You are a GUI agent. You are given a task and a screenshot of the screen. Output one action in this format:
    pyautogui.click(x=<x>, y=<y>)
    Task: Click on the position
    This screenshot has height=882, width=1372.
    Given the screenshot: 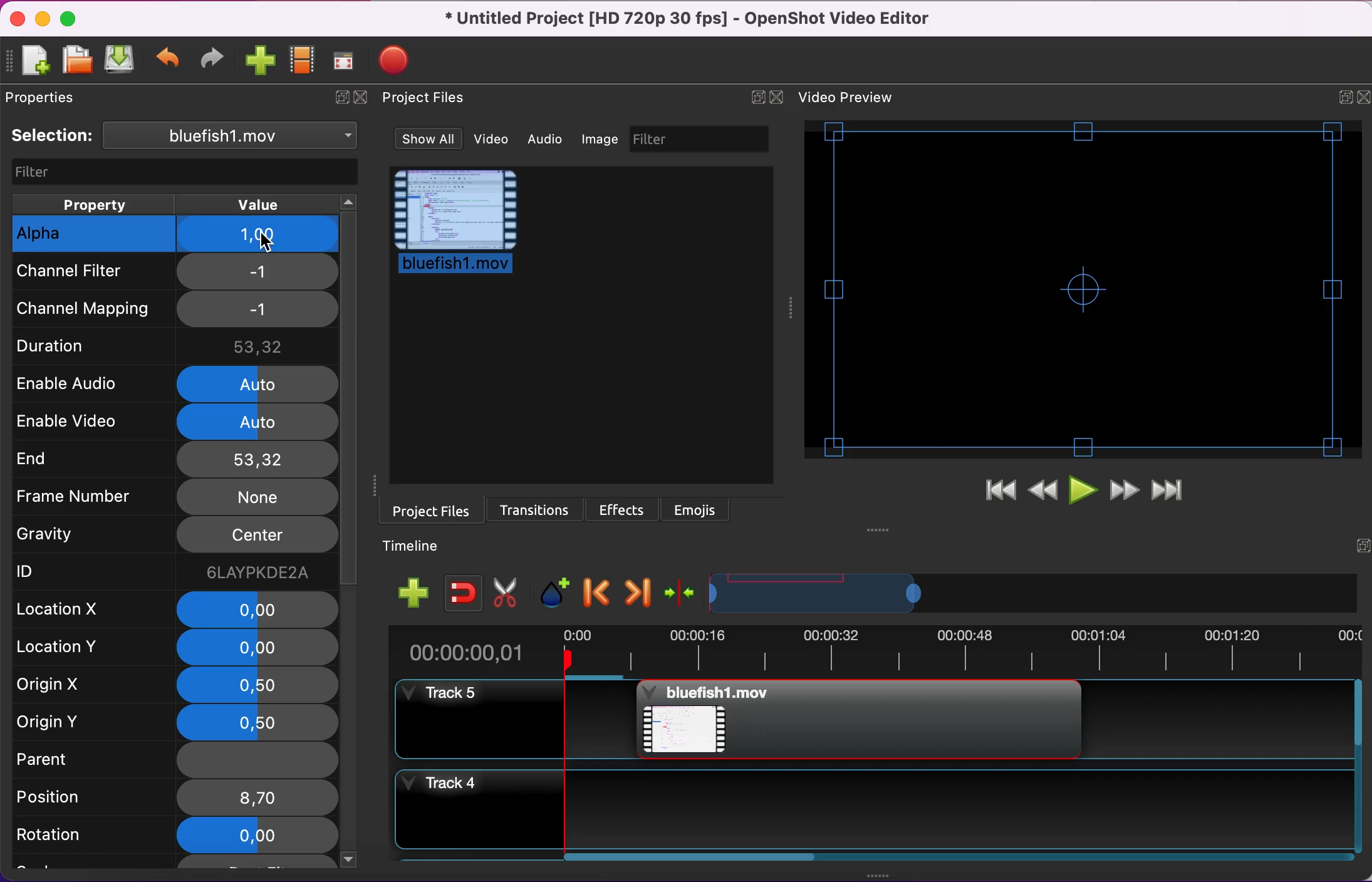 What is the action you would take?
    pyautogui.click(x=66, y=799)
    